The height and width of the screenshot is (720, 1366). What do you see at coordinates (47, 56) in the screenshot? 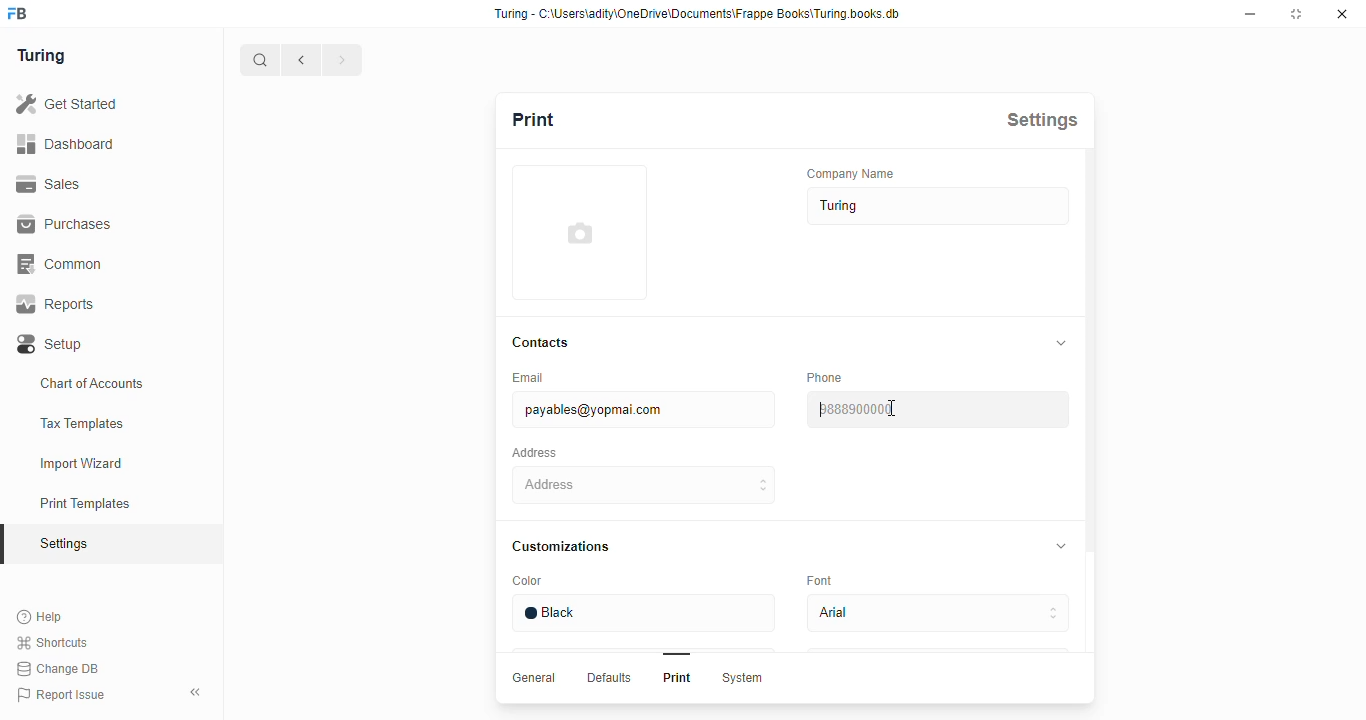
I see `Turing` at bounding box center [47, 56].